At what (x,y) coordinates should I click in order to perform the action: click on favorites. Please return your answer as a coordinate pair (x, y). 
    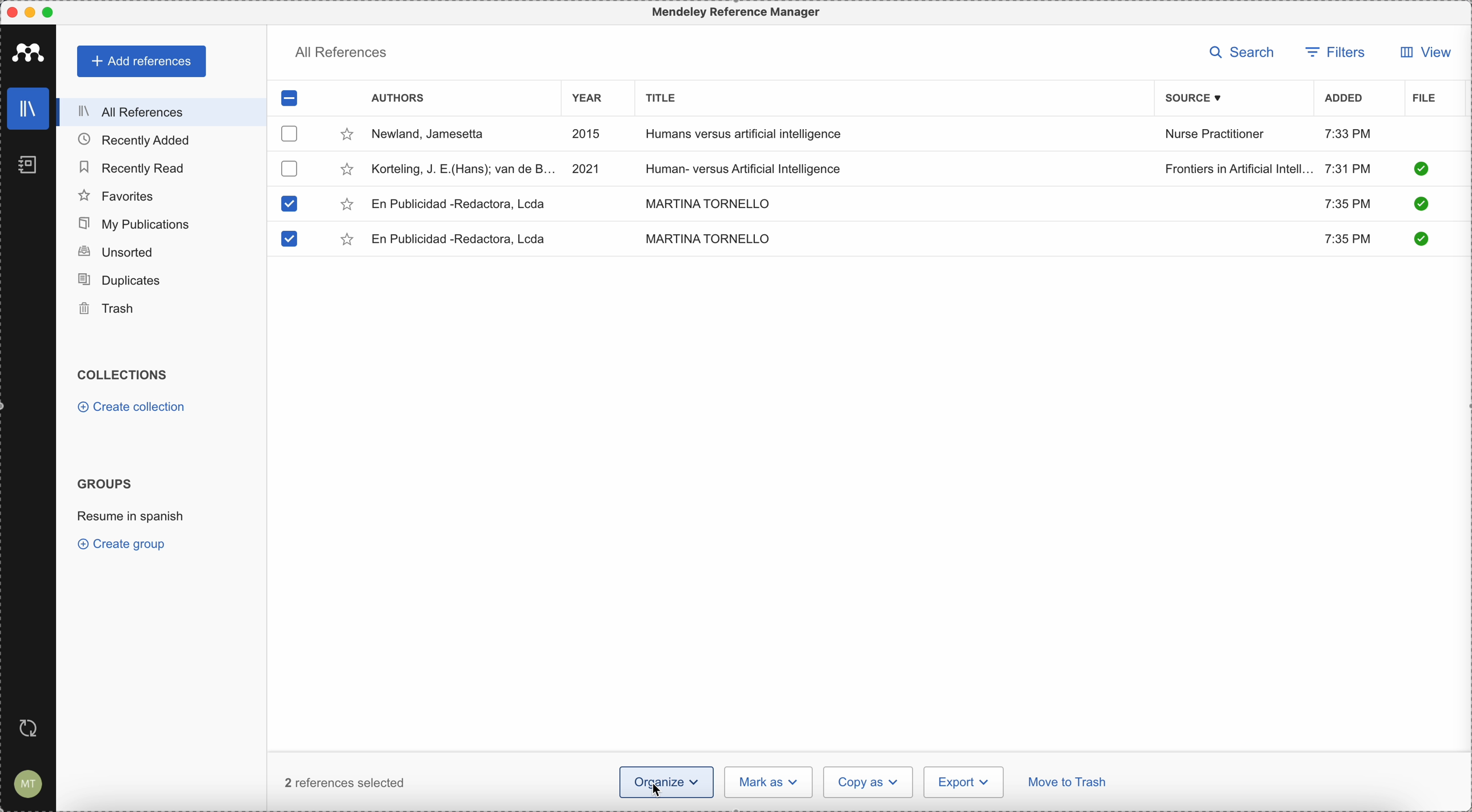
    Looking at the image, I should click on (117, 196).